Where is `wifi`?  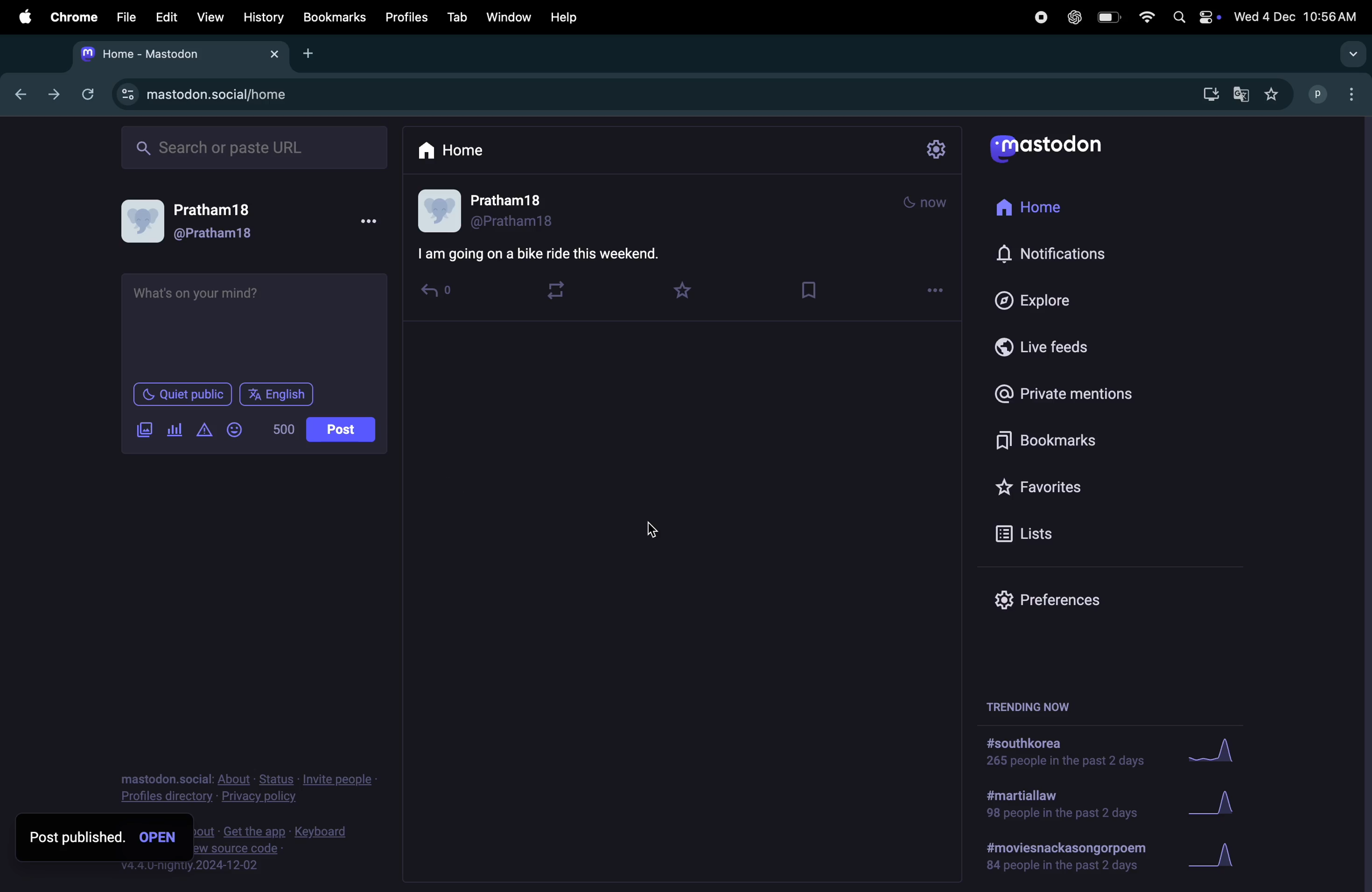 wifi is located at coordinates (1143, 16).